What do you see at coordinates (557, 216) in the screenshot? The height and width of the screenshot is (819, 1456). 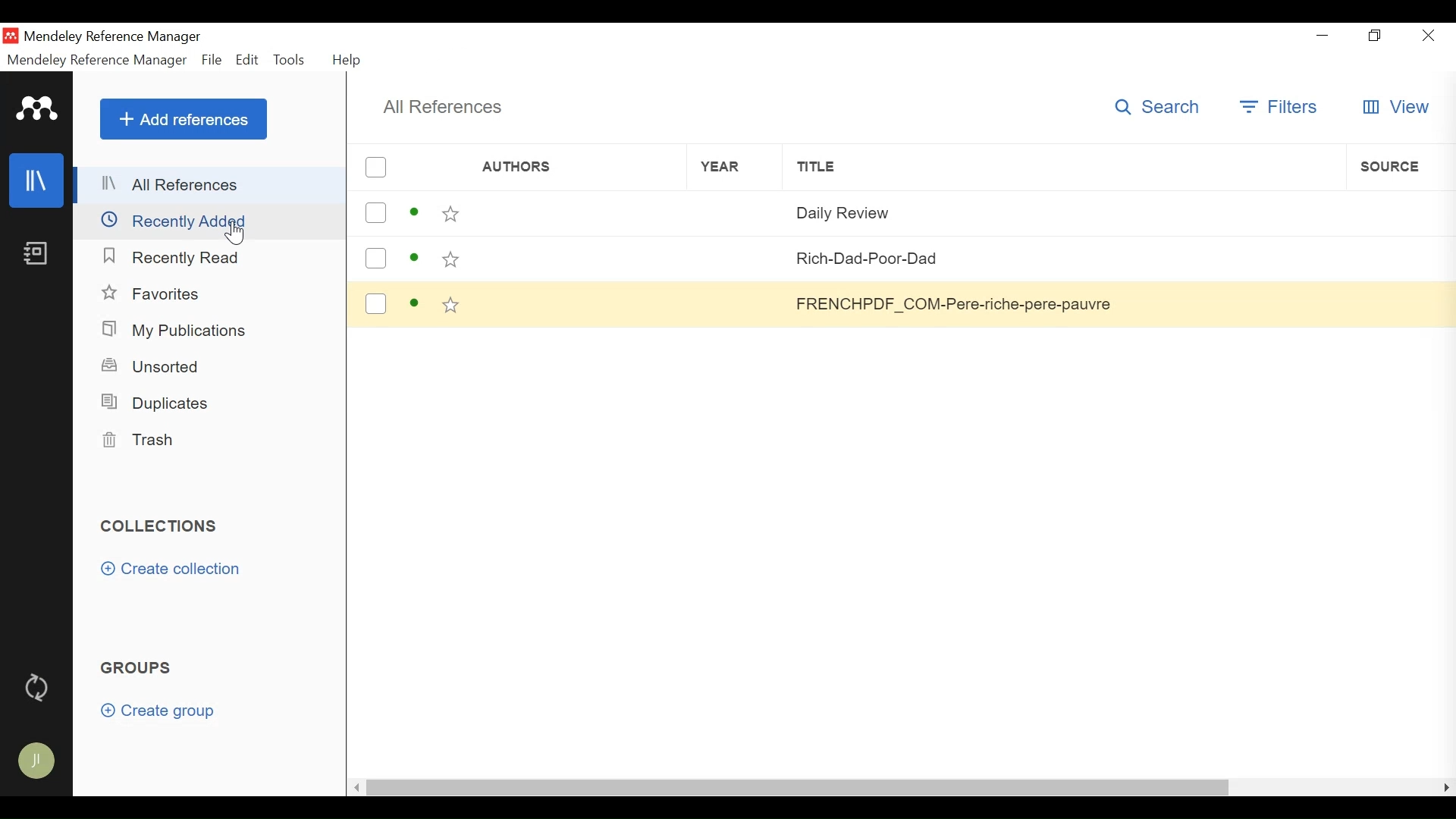 I see `Author` at bounding box center [557, 216].